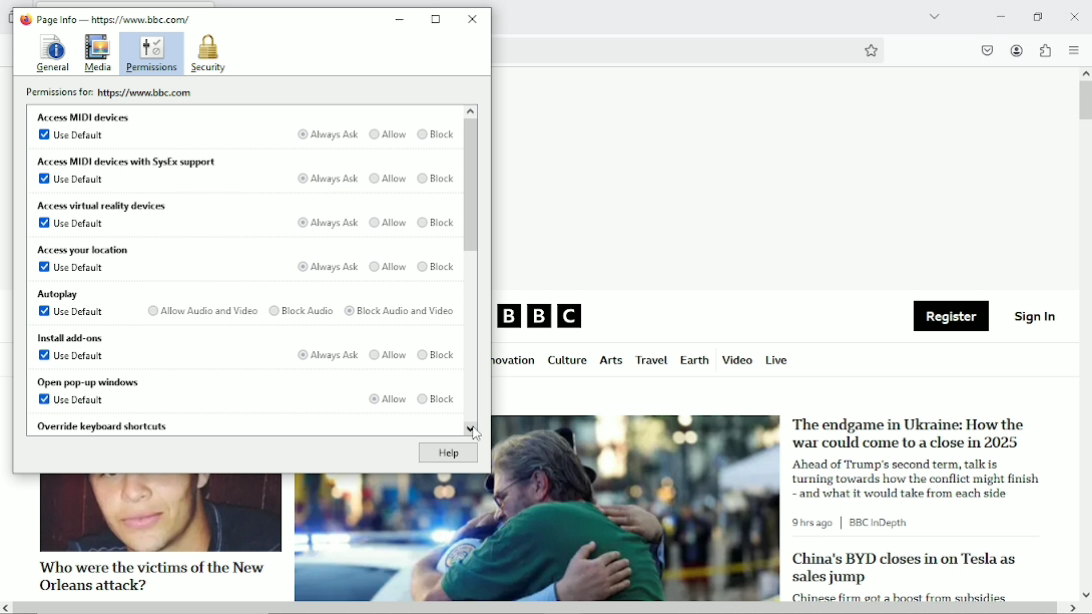 The width and height of the screenshot is (1092, 614). Describe the element at coordinates (327, 268) in the screenshot. I see `Always Ask` at that location.